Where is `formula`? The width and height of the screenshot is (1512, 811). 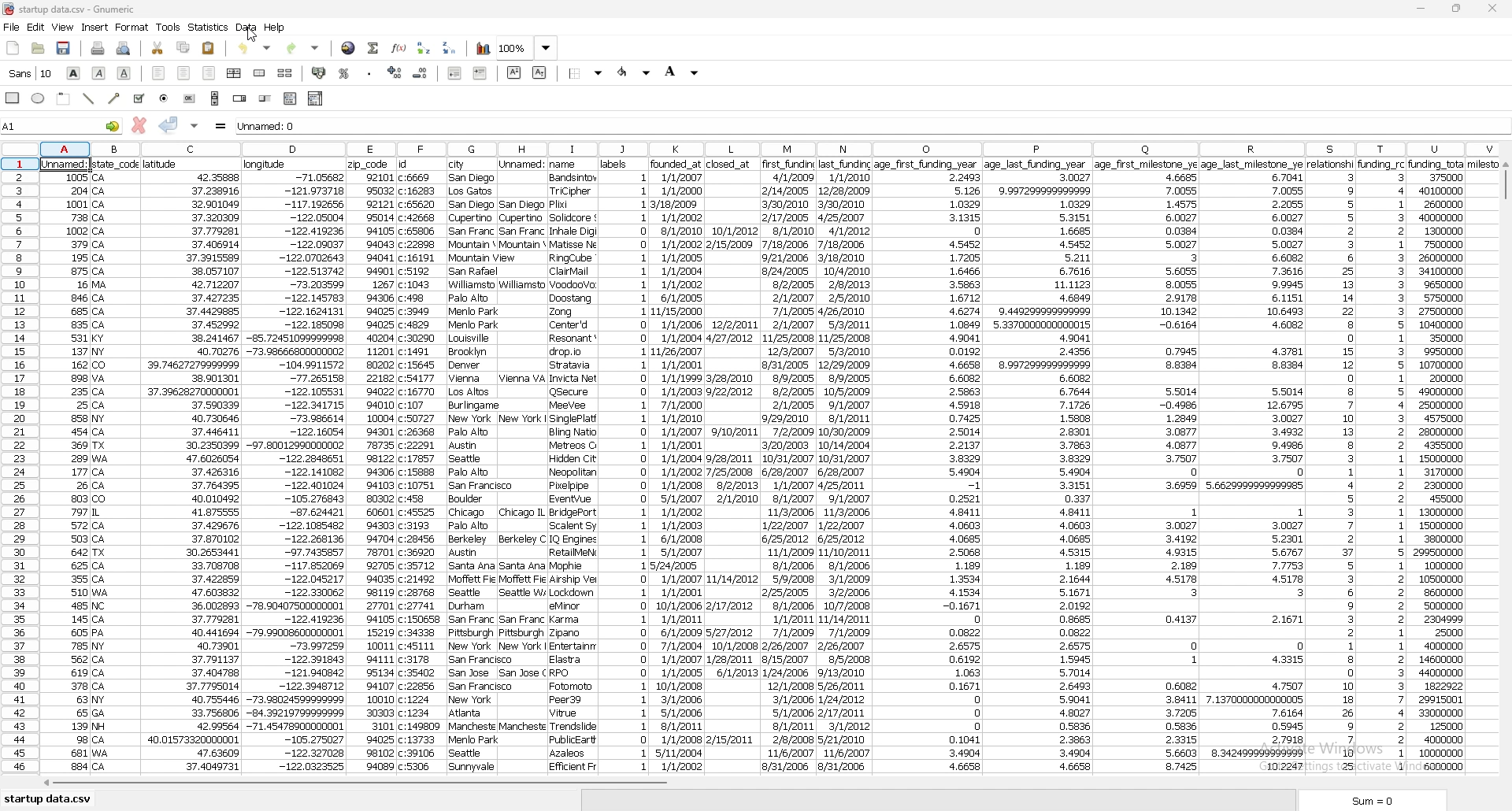
formula is located at coordinates (221, 126).